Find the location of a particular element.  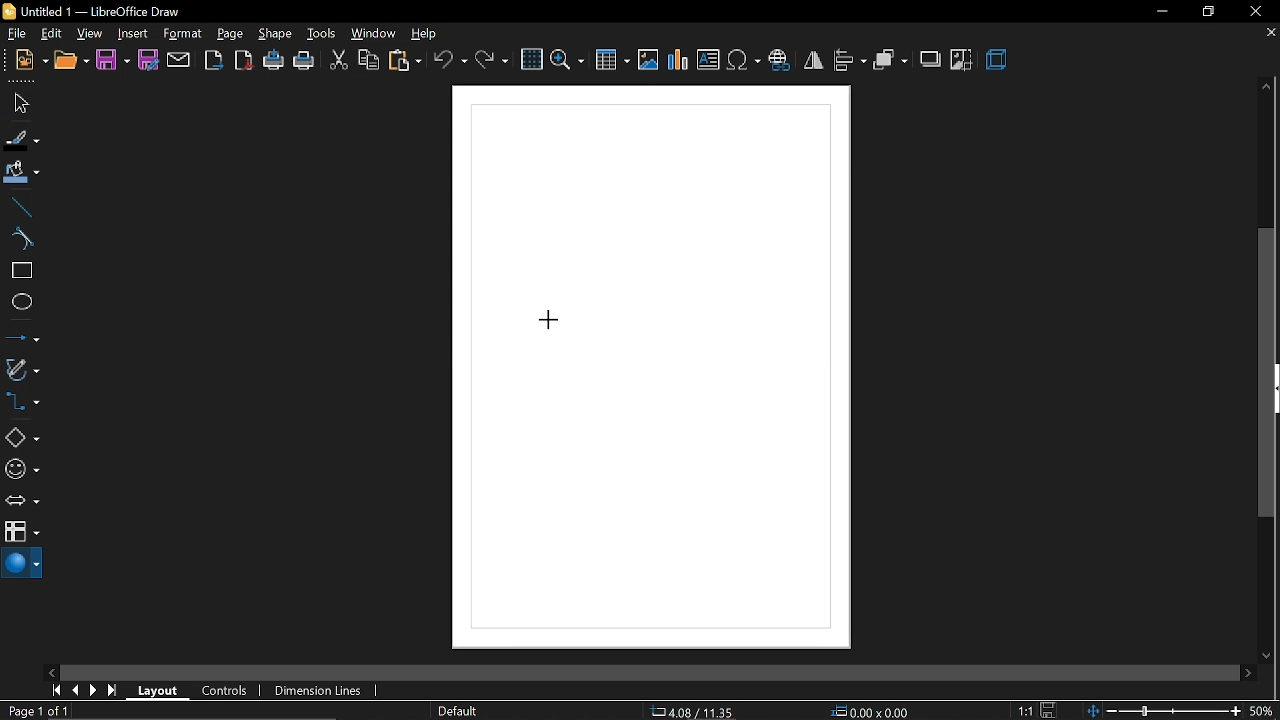

1:1 is located at coordinates (1023, 710).